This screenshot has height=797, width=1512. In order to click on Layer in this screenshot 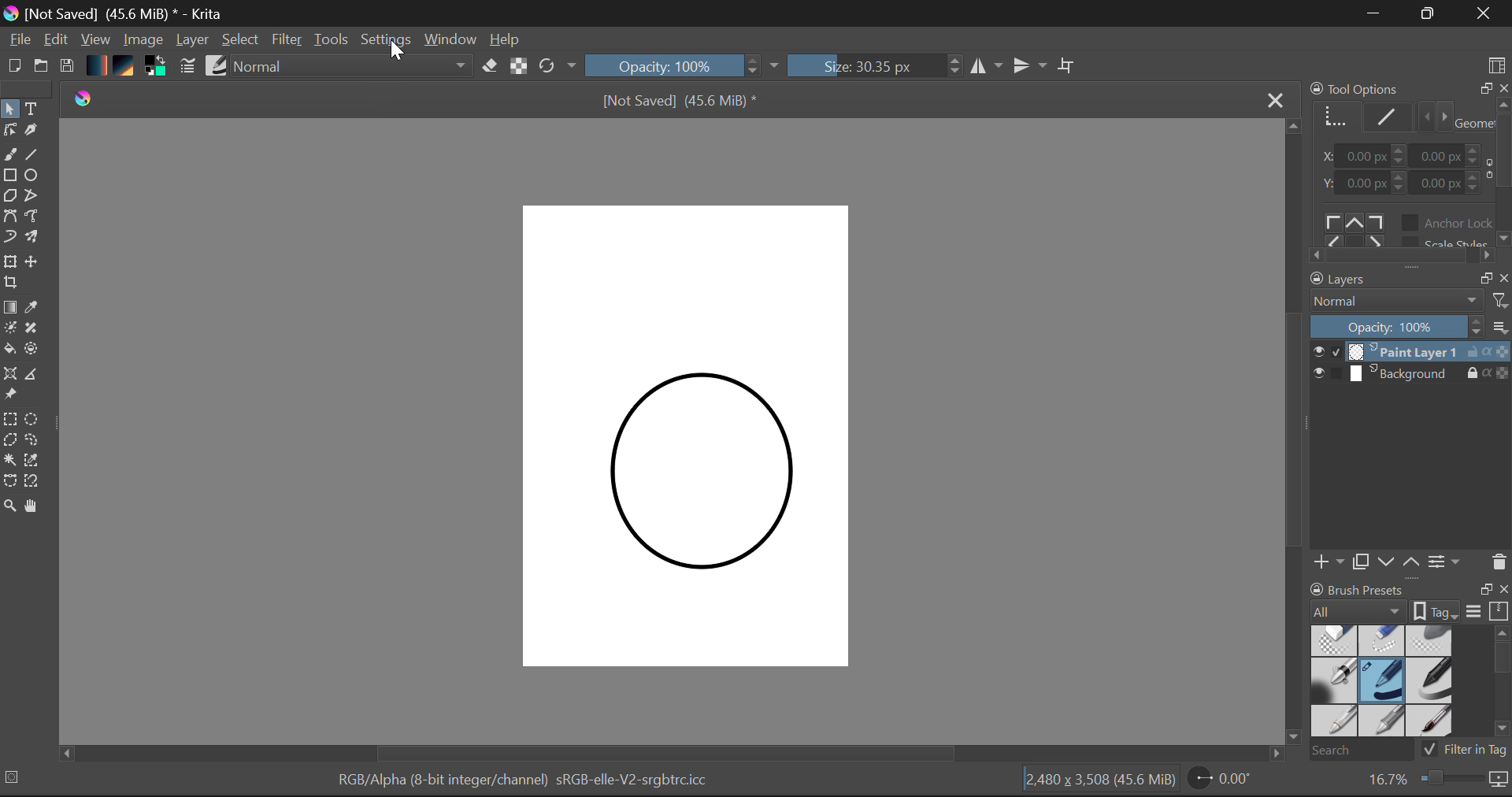, I will do `click(194, 41)`.